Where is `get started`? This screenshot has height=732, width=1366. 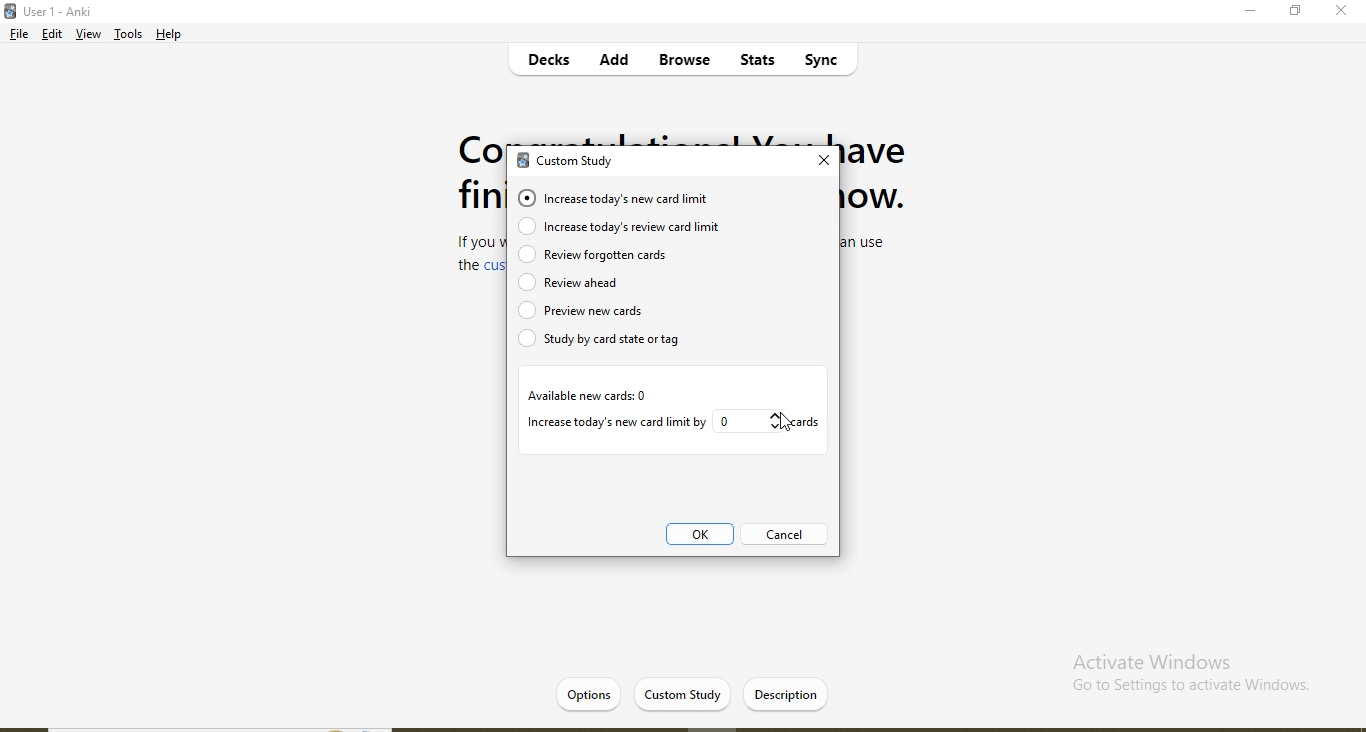 get started is located at coordinates (599, 693).